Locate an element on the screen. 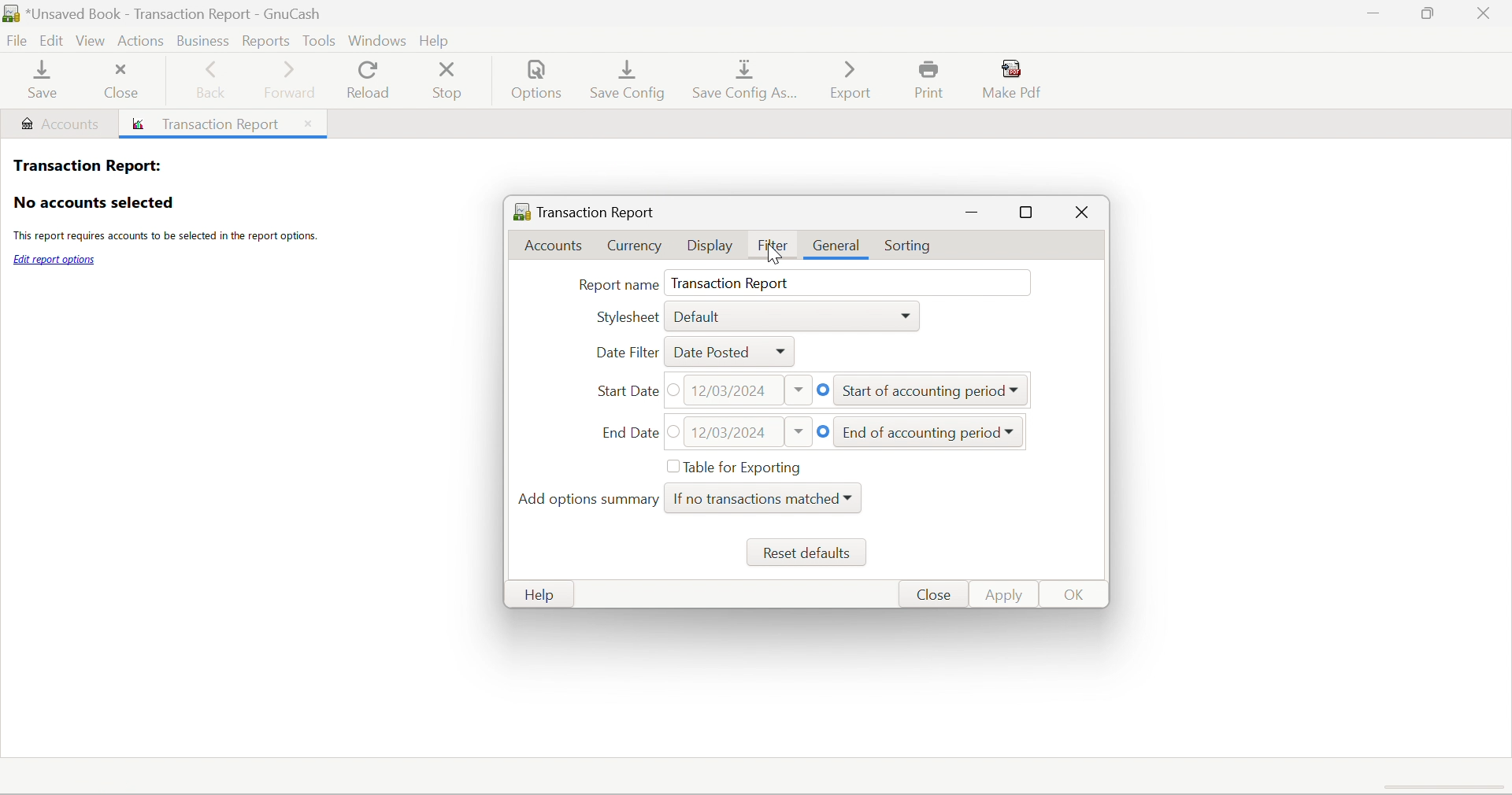 The image size is (1512, 795). Accounts is located at coordinates (559, 246).